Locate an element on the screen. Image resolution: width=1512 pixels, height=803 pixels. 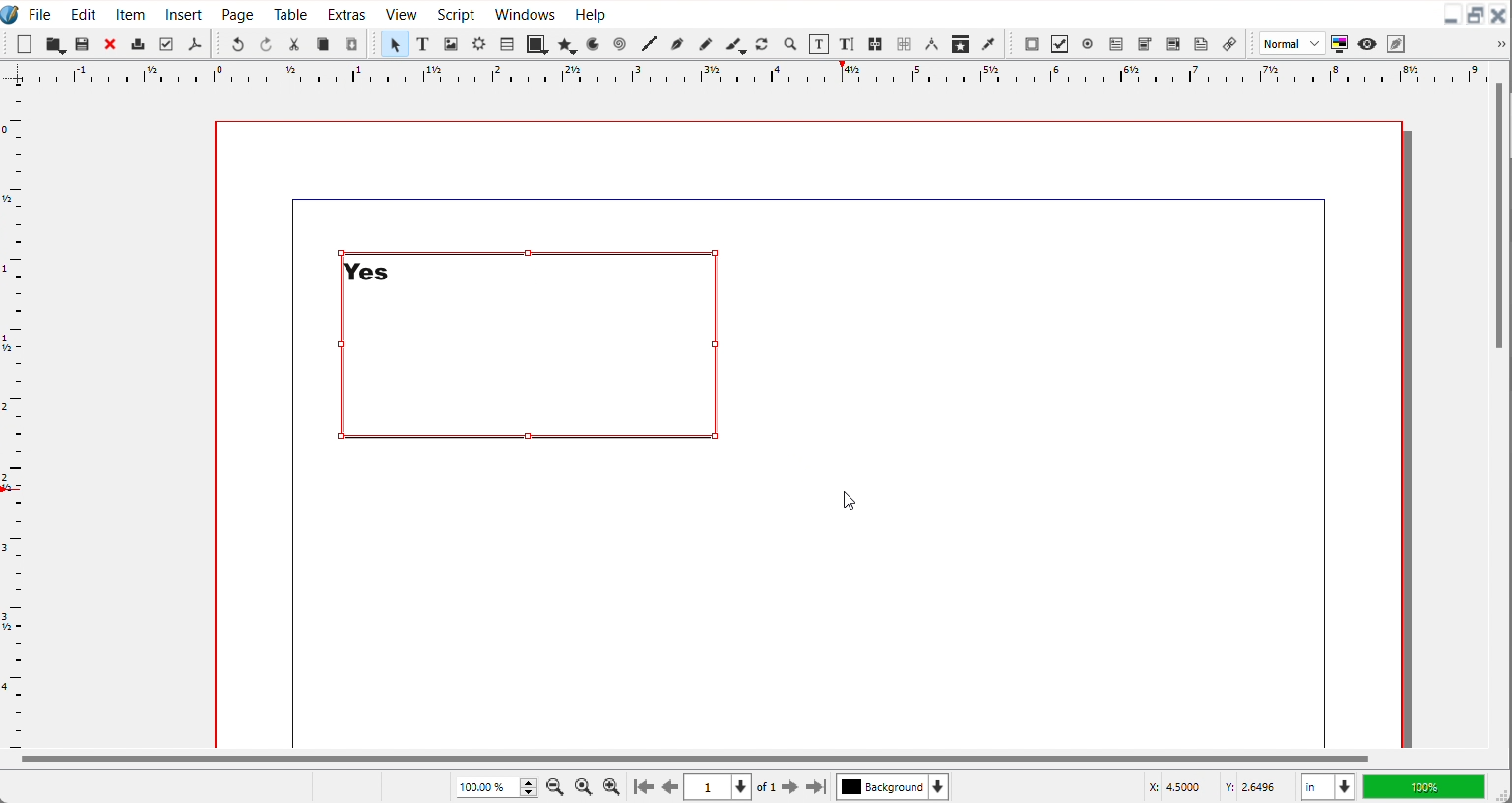
Adjust Zoom is located at coordinates (498, 787).